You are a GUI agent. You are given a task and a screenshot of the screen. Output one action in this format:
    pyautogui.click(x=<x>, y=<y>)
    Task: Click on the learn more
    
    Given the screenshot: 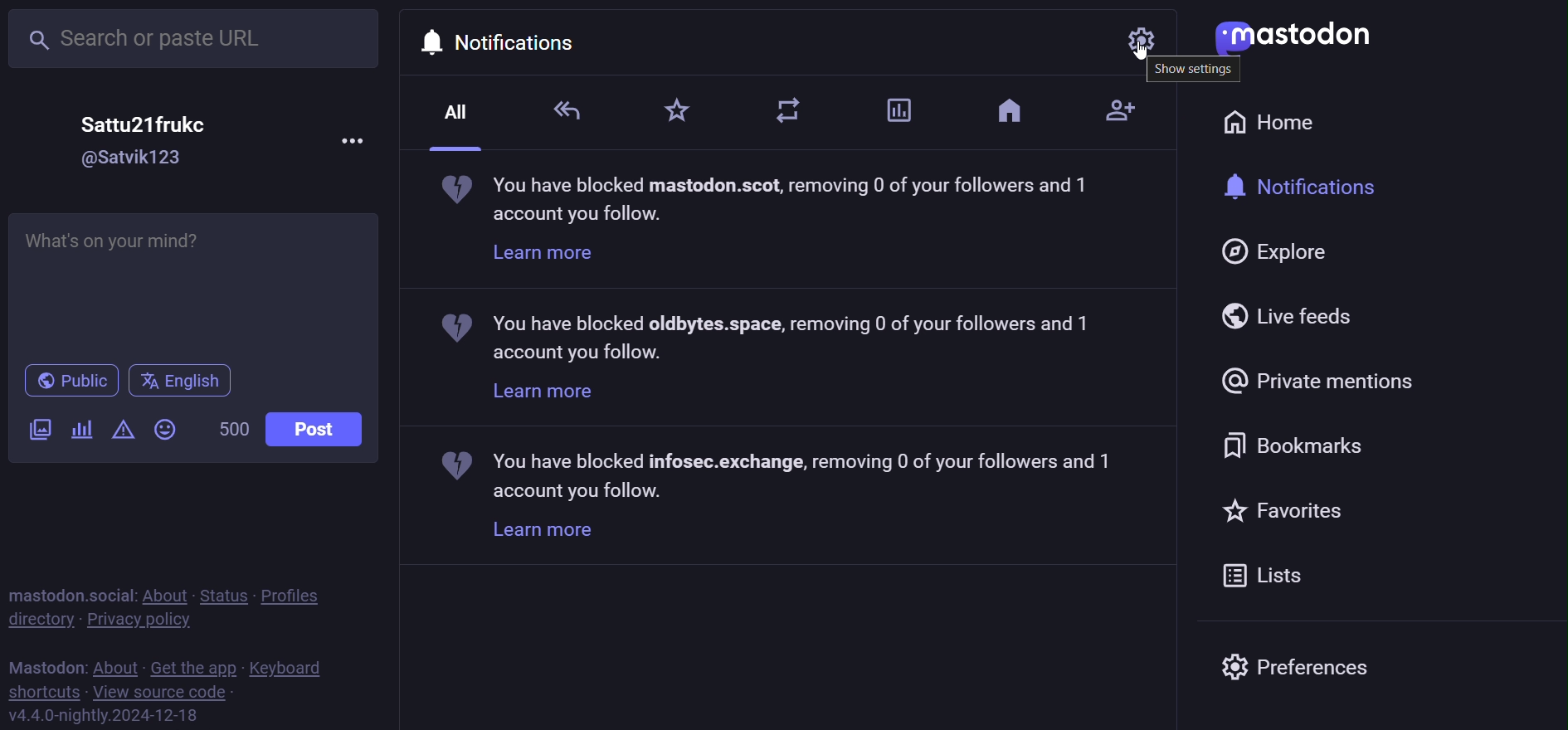 What is the action you would take?
    pyautogui.click(x=541, y=533)
    